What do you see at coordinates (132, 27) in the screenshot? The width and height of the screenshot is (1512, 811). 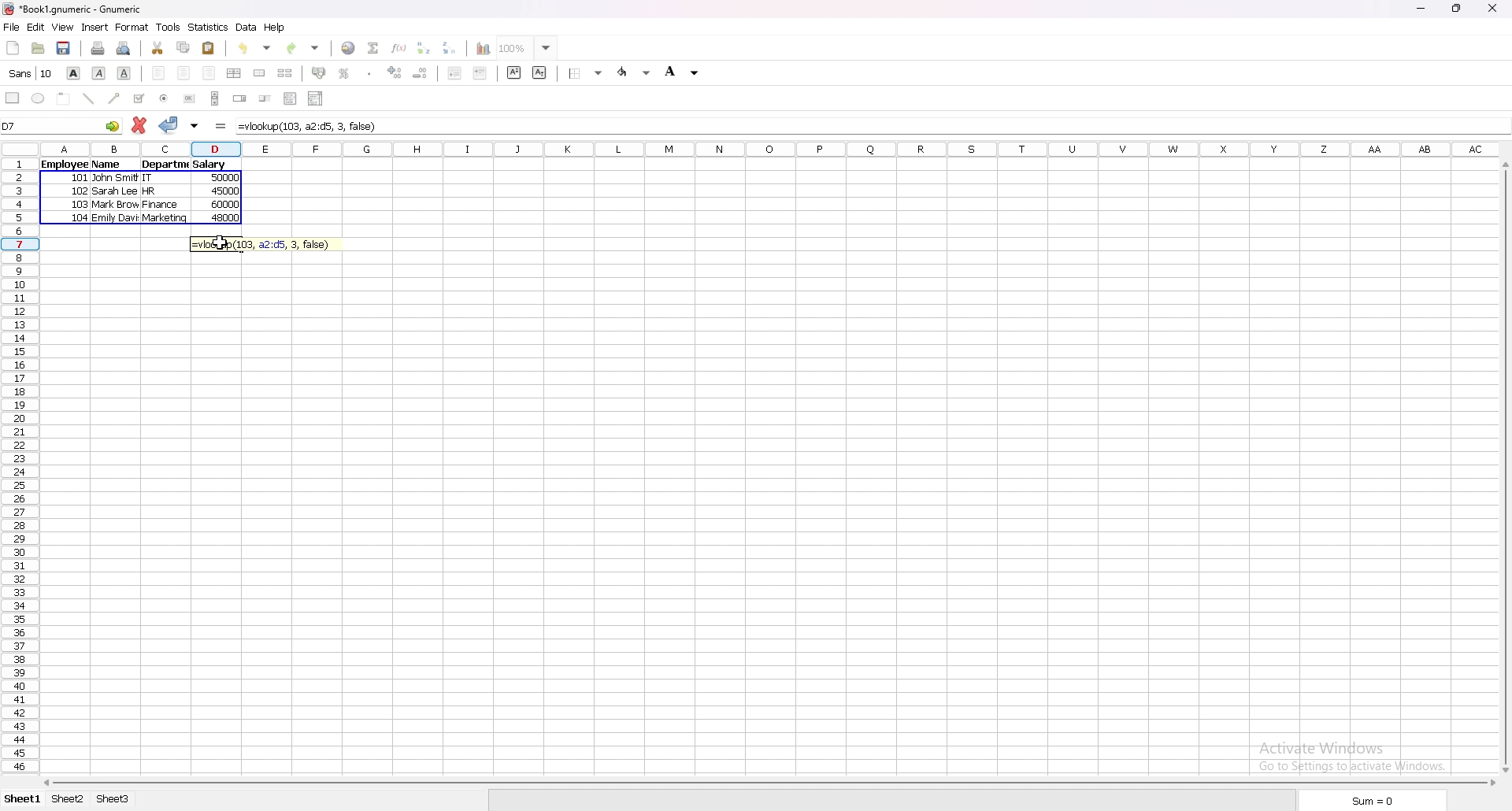 I see `format` at bounding box center [132, 27].